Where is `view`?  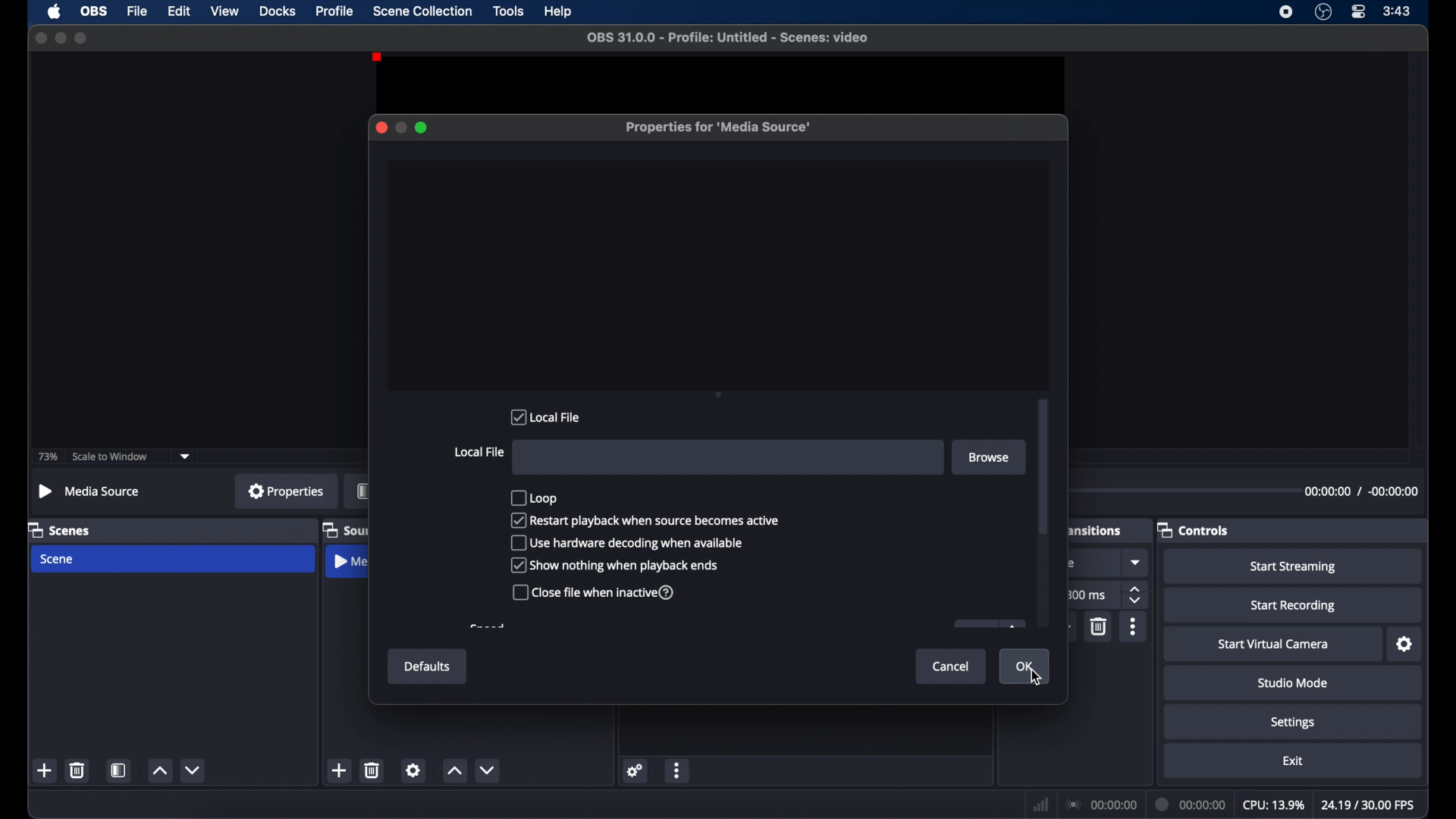
view is located at coordinates (224, 10).